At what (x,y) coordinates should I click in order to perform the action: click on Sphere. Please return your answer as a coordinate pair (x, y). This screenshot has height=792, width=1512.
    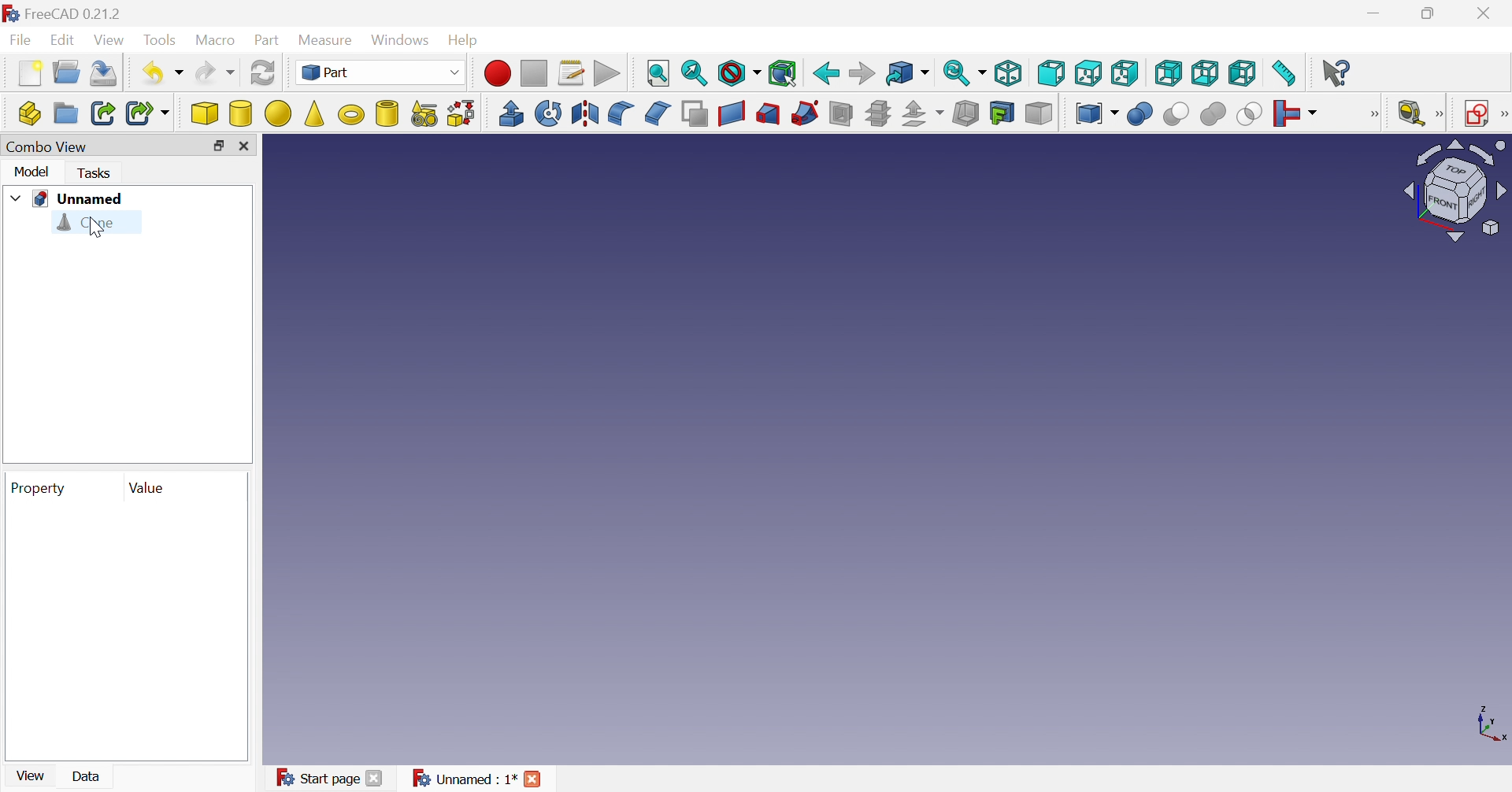
    Looking at the image, I should click on (276, 112).